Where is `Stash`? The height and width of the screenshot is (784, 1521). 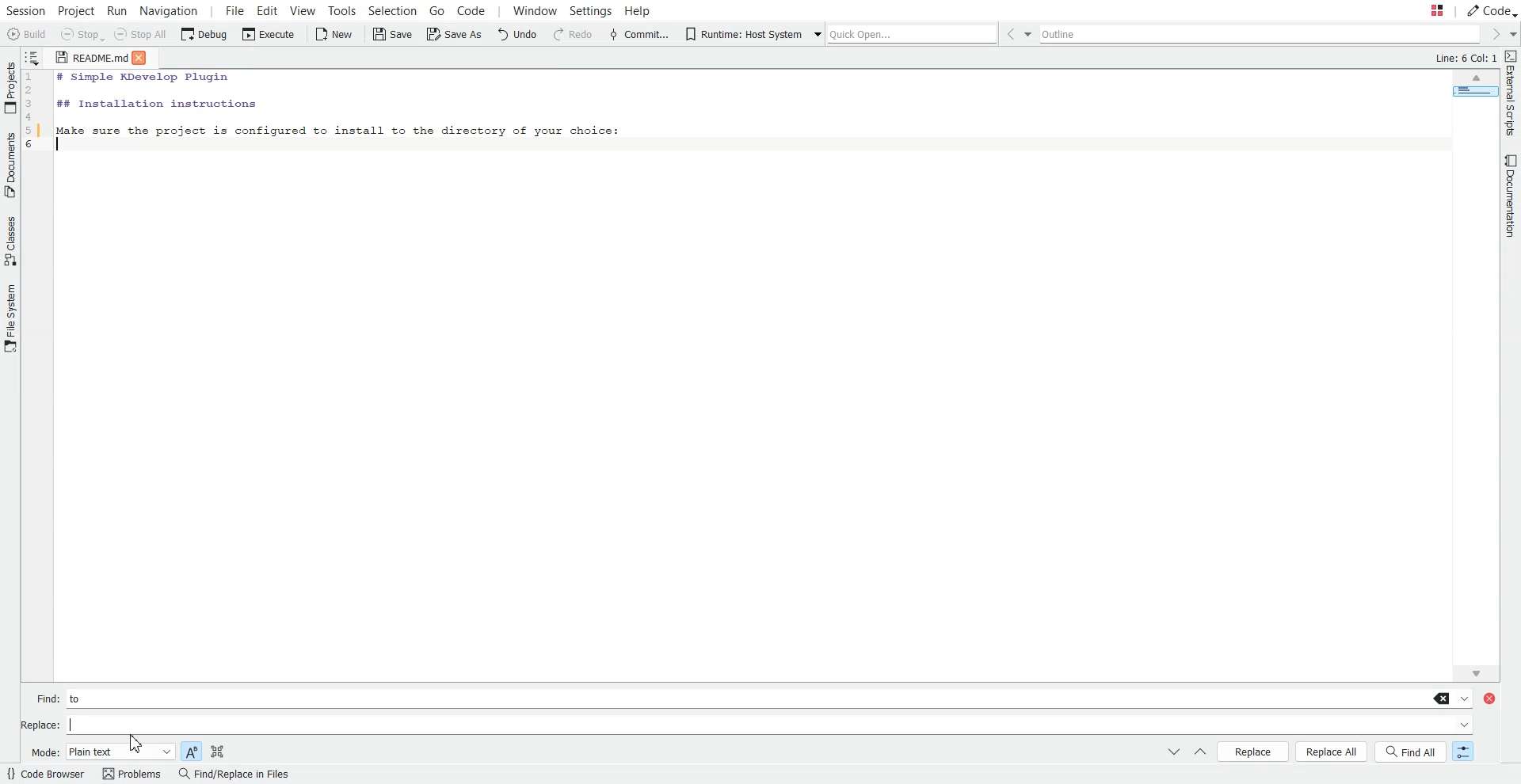
Stash is located at coordinates (1421, 11).